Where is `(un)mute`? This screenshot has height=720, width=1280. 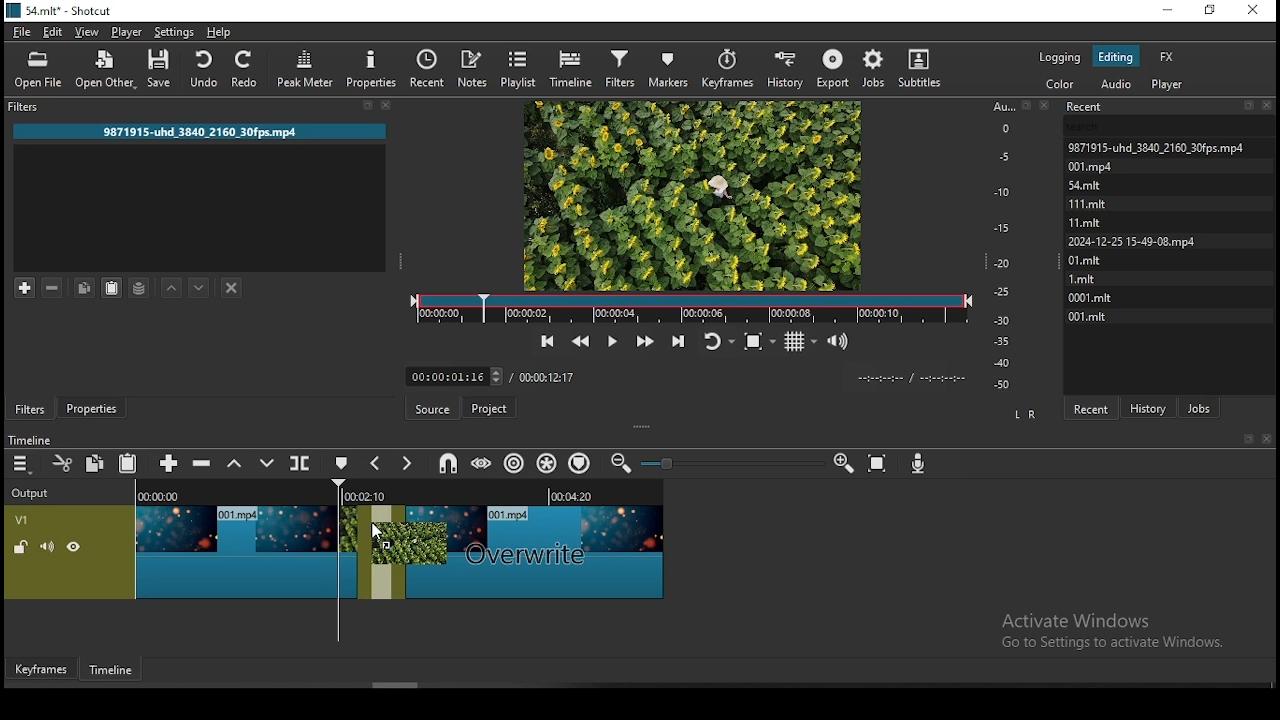 (un)mute is located at coordinates (47, 546).